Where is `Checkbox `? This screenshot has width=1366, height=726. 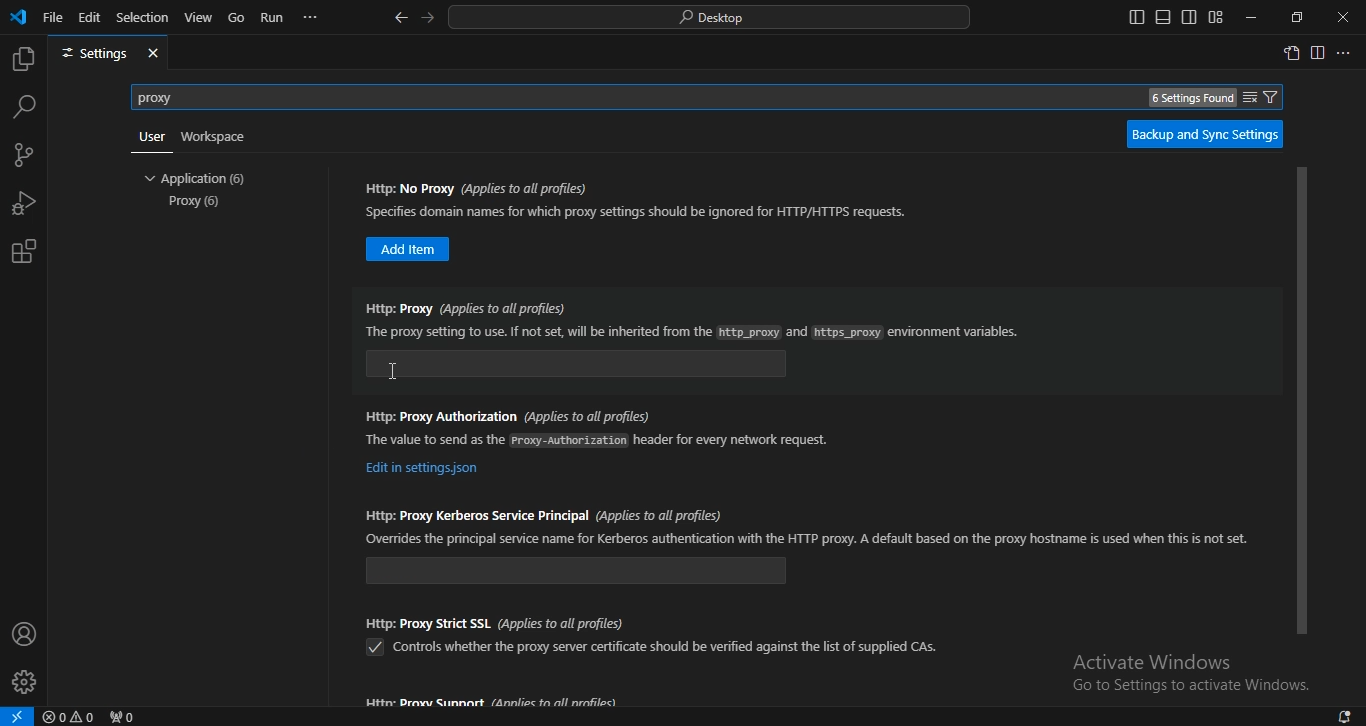
Checkbox  is located at coordinates (373, 648).